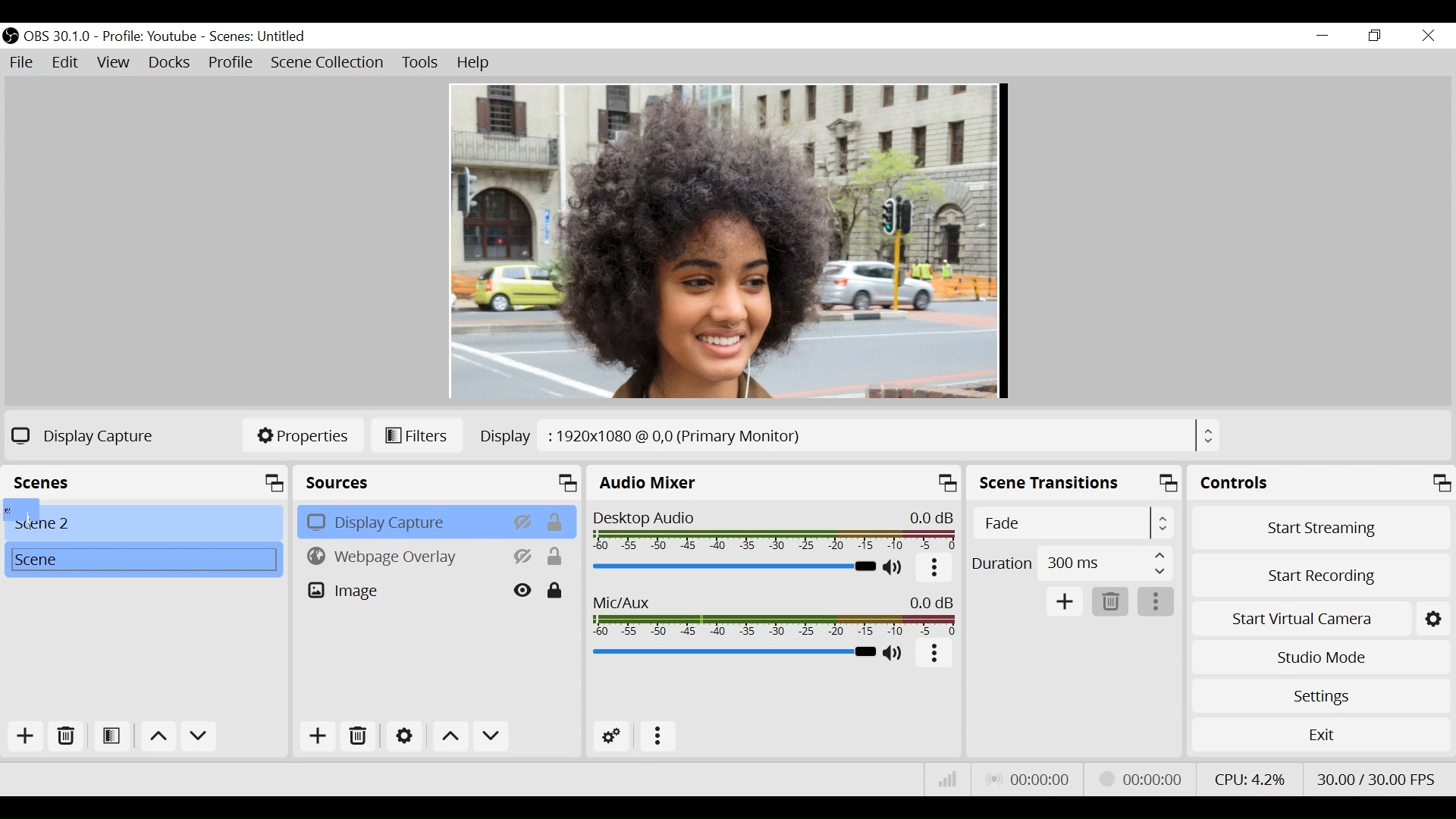  Describe the element at coordinates (198, 737) in the screenshot. I see `Move down` at that location.